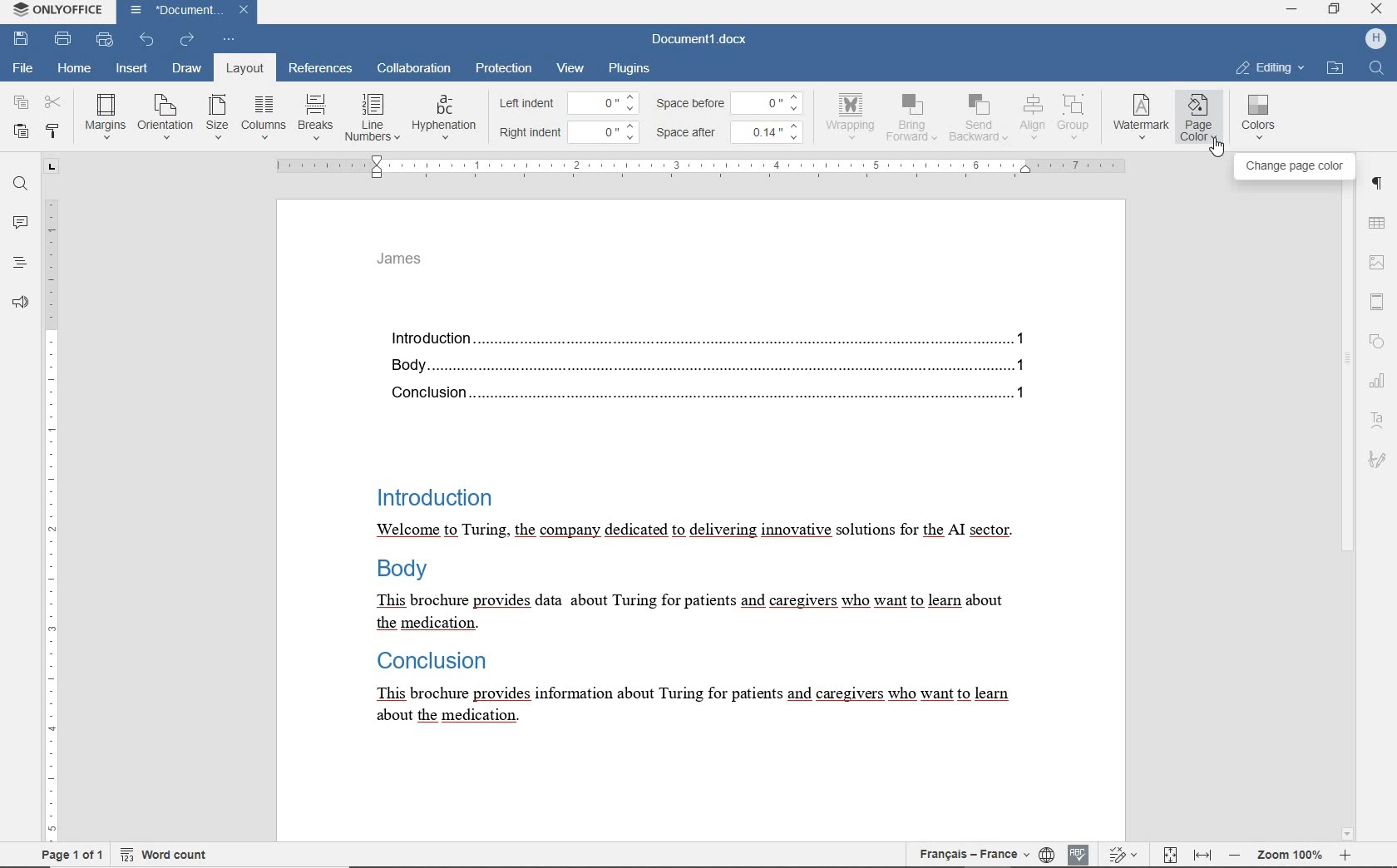 The height and width of the screenshot is (868, 1397). What do you see at coordinates (1375, 67) in the screenshot?
I see `find` at bounding box center [1375, 67].